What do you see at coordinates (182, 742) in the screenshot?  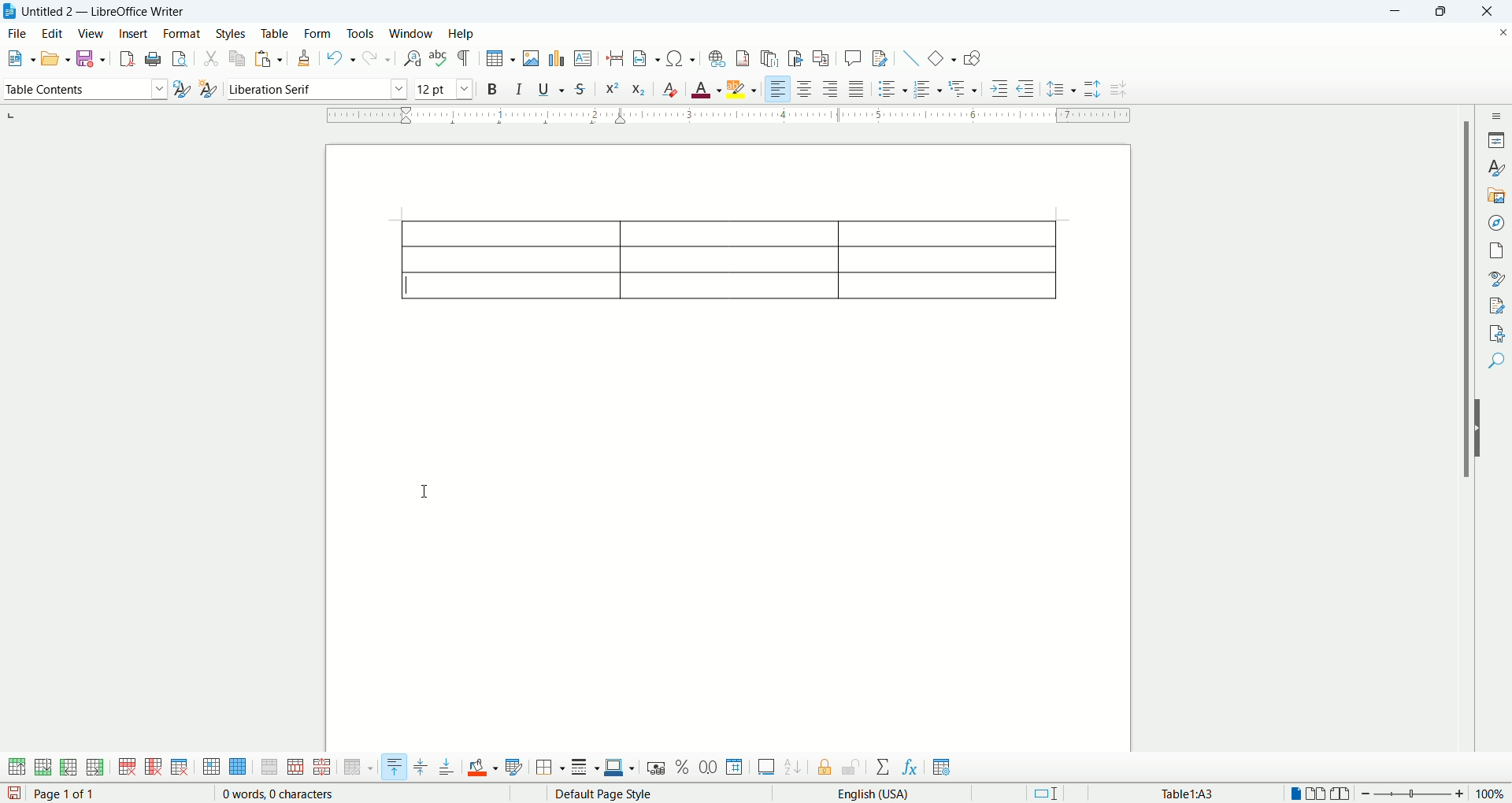 I see `delete selected rows` at bounding box center [182, 742].